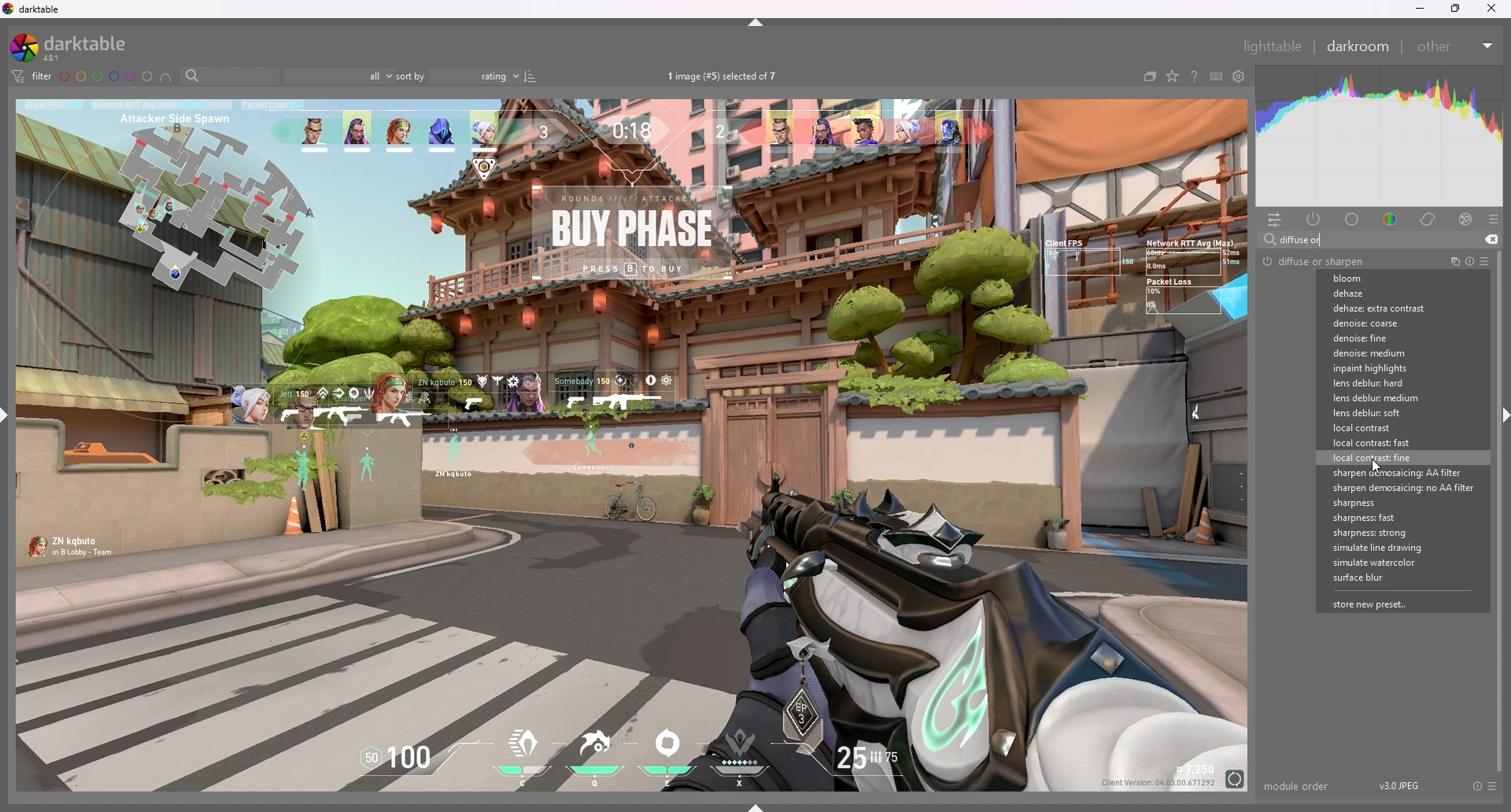  Describe the element at coordinates (1377, 467) in the screenshot. I see `cursor` at that location.